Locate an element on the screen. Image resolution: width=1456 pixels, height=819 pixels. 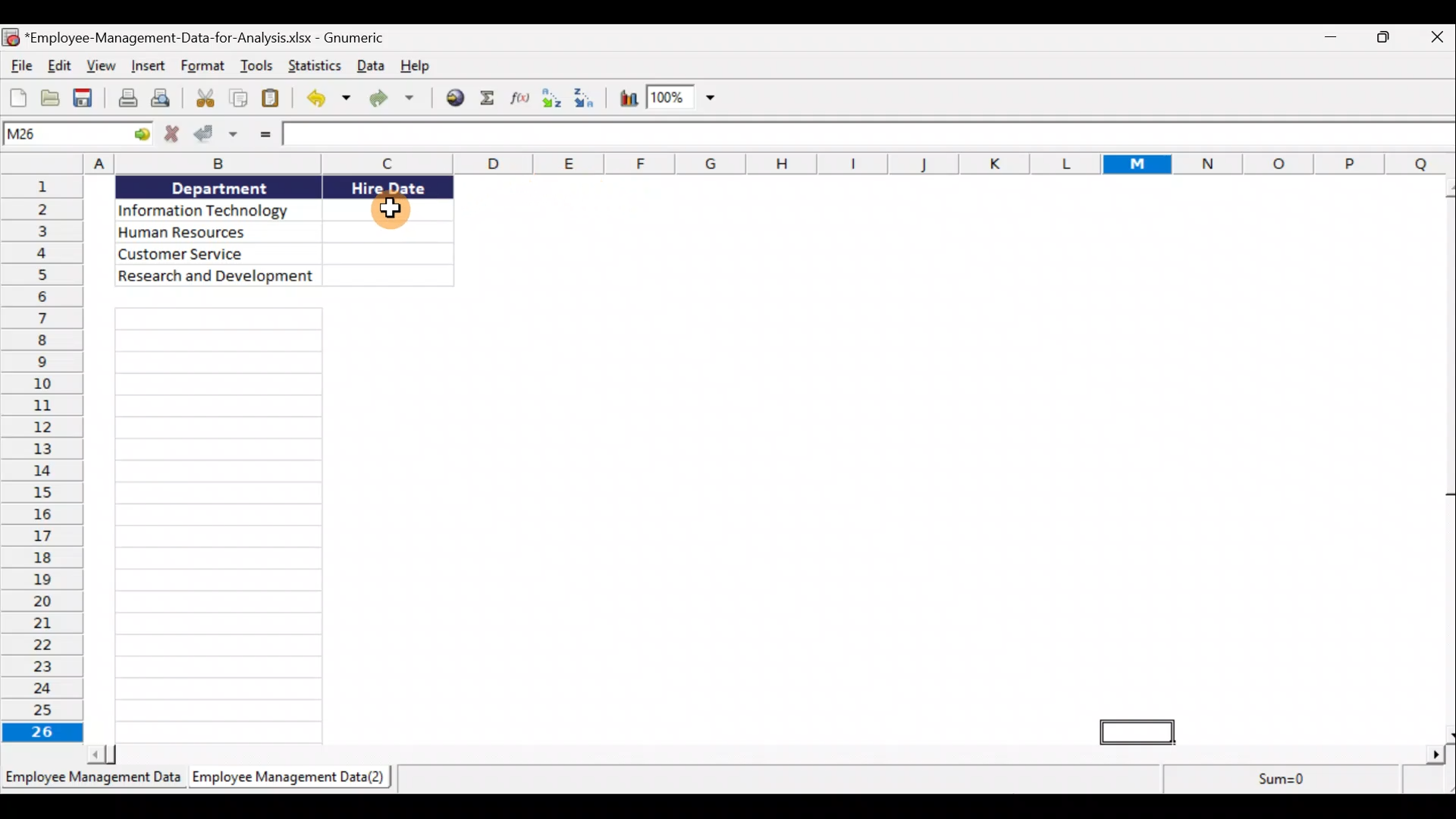
Cursor is located at coordinates (389, 207).